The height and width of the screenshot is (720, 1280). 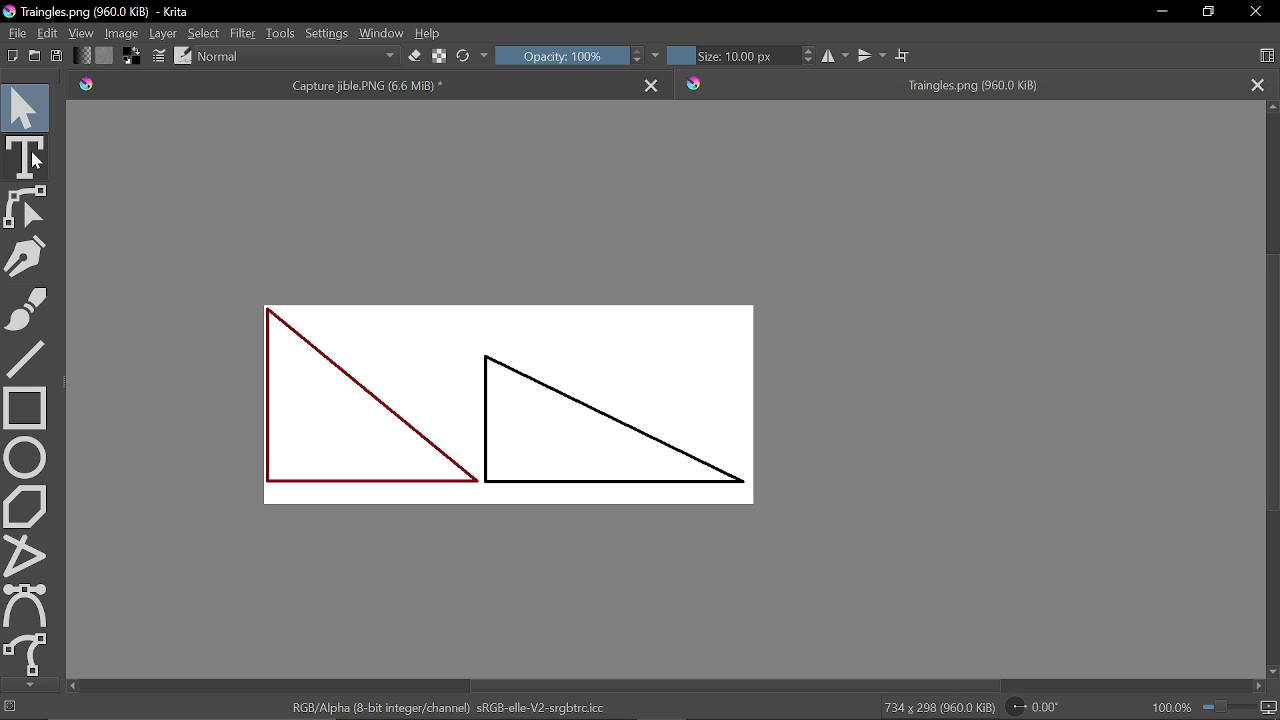 What do you see at coordinates (10, 57) in the screenshot?
I see `New document ` at bounding box center [10, 57].